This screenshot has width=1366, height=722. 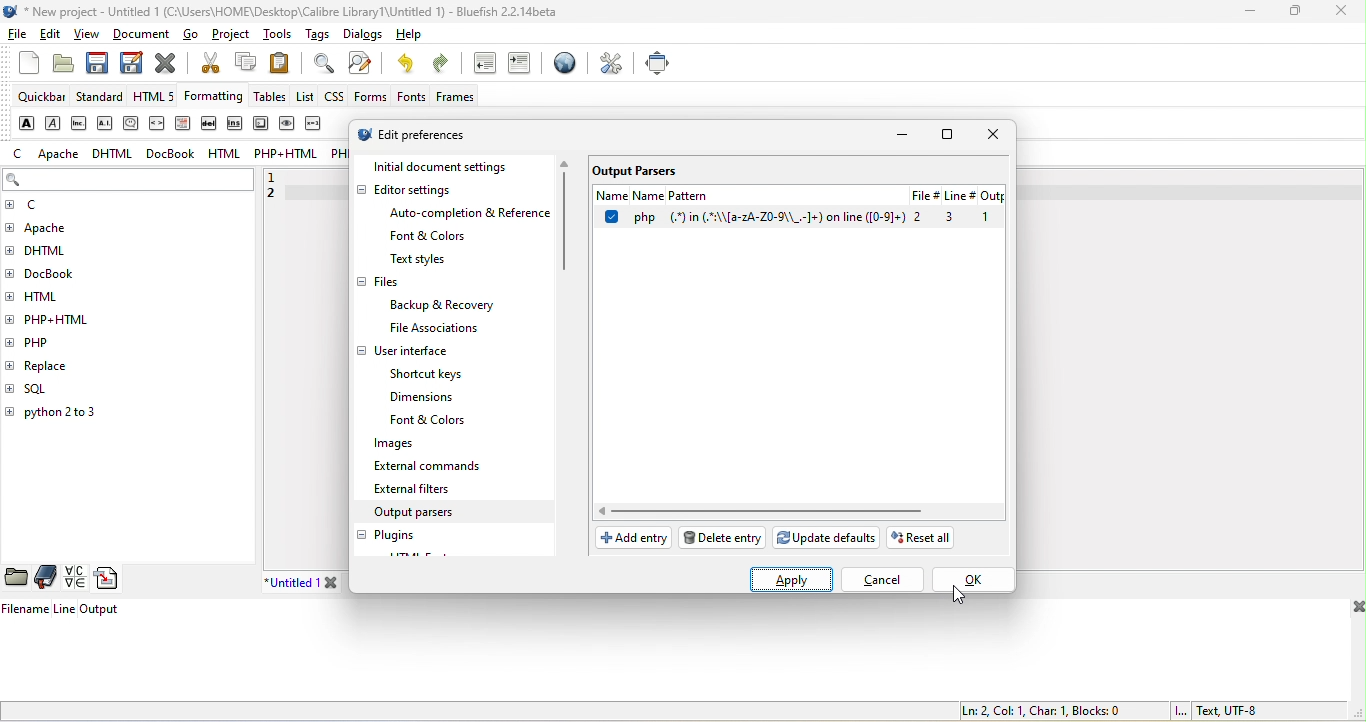 I want to click on linr, so click(x=959, y=195).